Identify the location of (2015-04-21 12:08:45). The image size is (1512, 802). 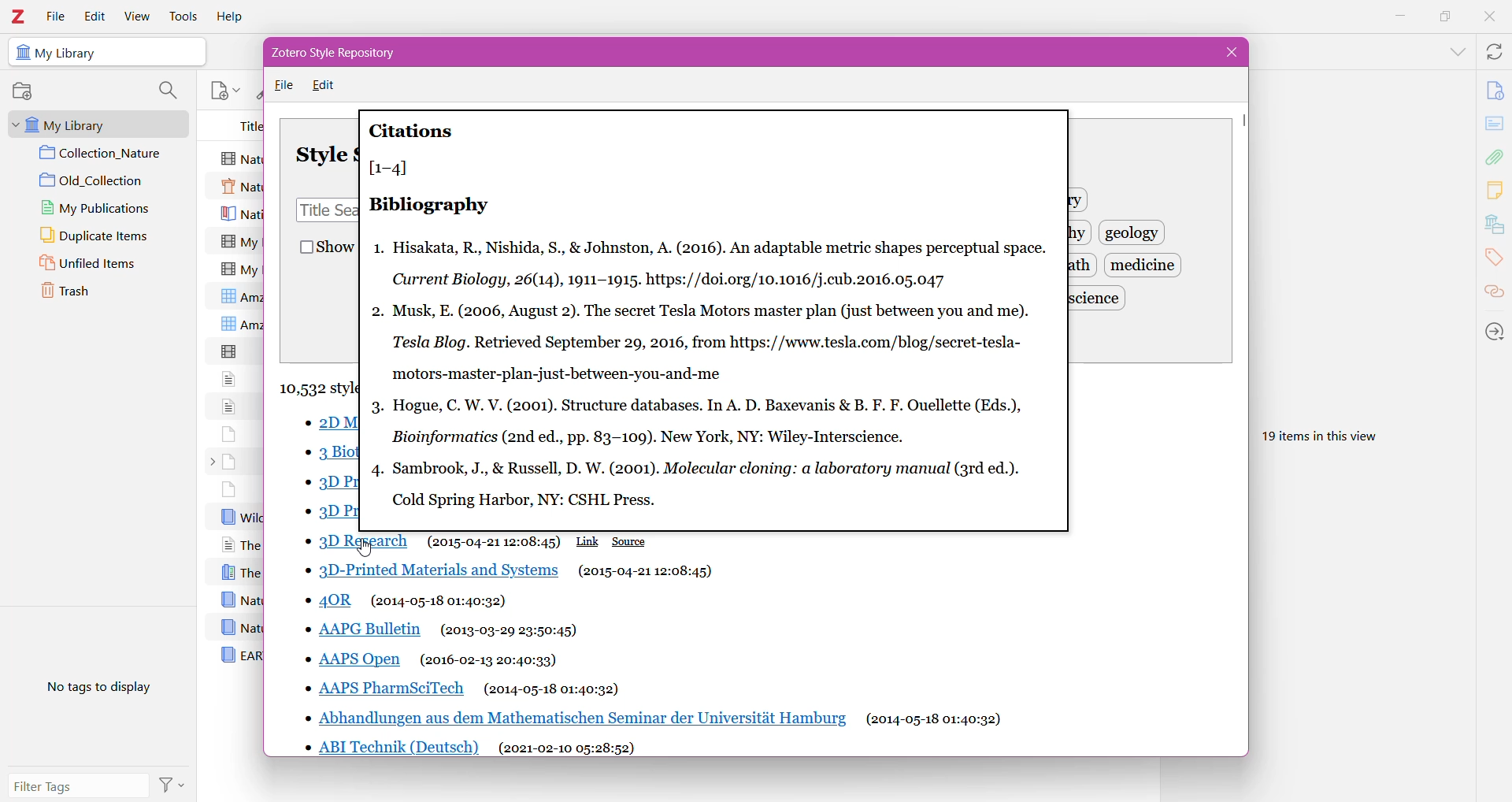
(646, 571).